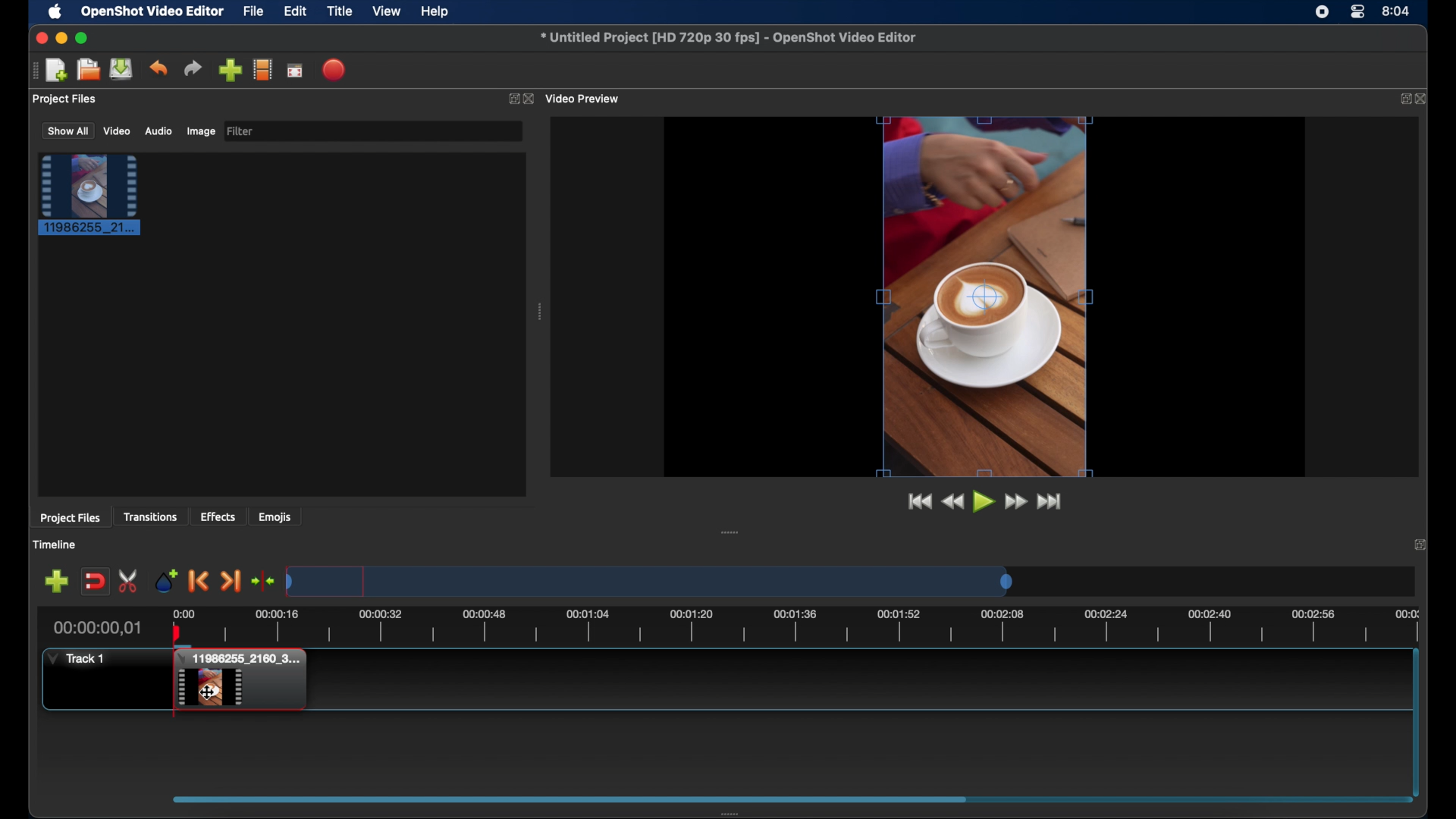 This screenshot has height=819, width=1456. I want to click on play , so click(982, 501).